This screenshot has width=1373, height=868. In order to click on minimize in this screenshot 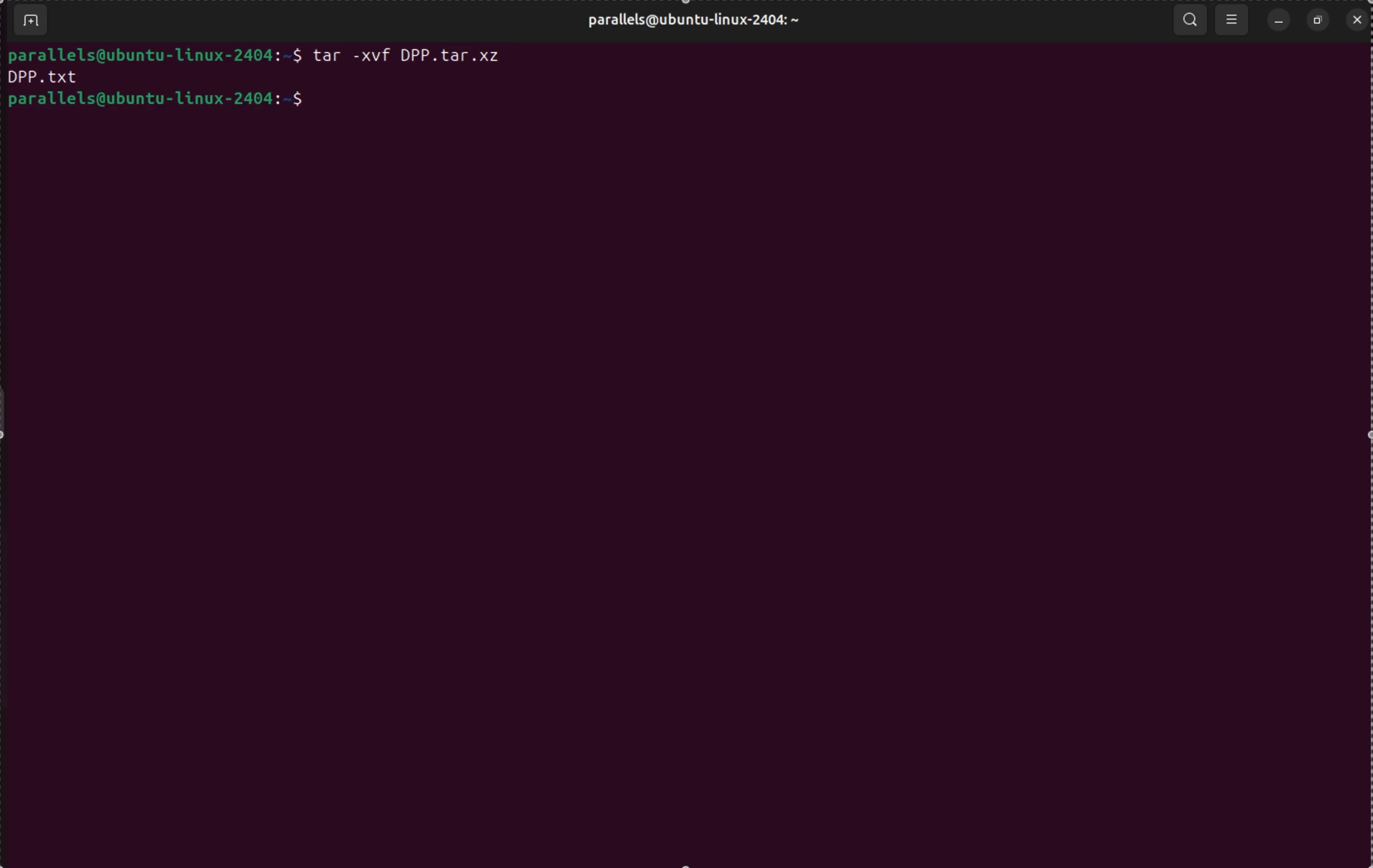, I will do `click(1277, 21)`.